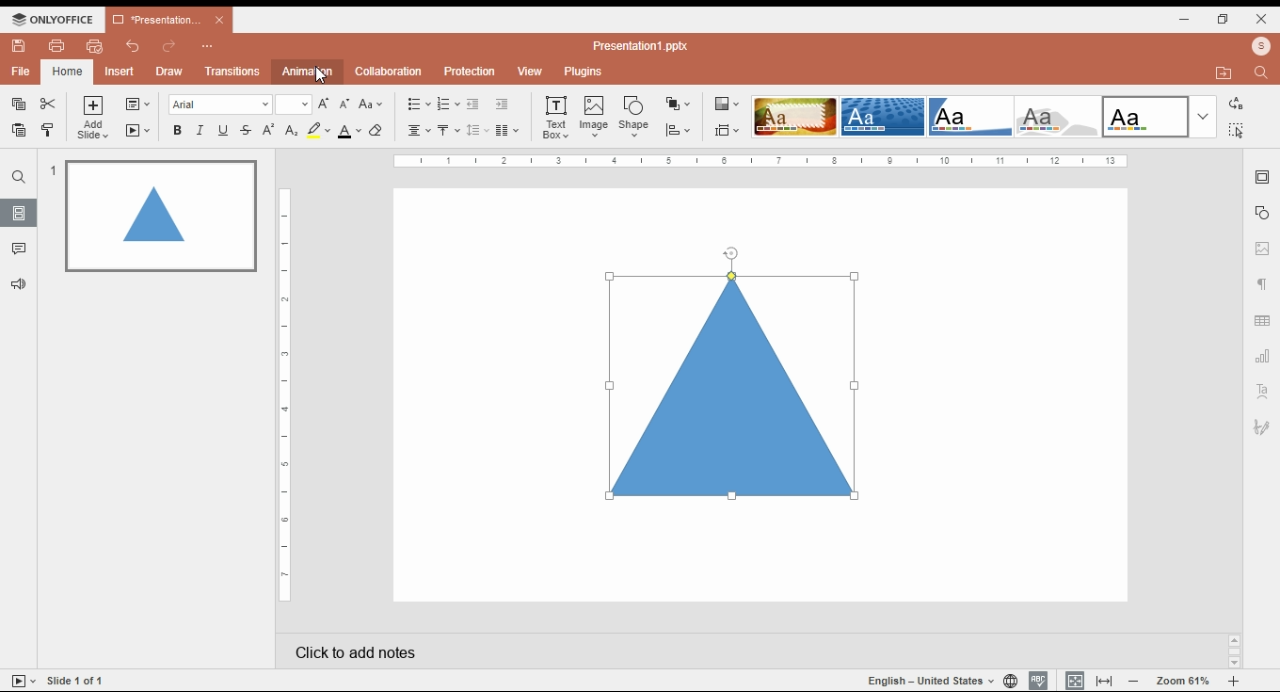 The height and width of the screenshot is (692, 1280). I want to click on scale, so click(761, 160).